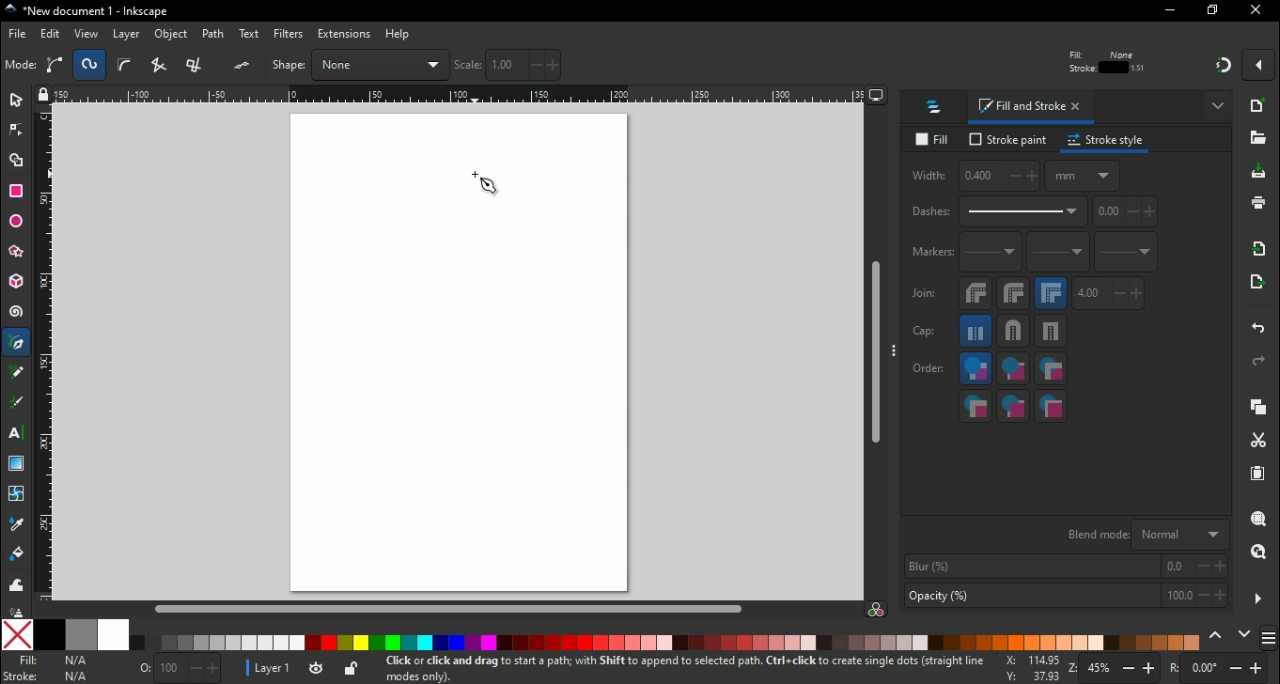 Image resolution: width=1280 pixels, height=684 pixels. Describe the element at coordinates (172, 35) in the screenshot. I see `object` at that location.